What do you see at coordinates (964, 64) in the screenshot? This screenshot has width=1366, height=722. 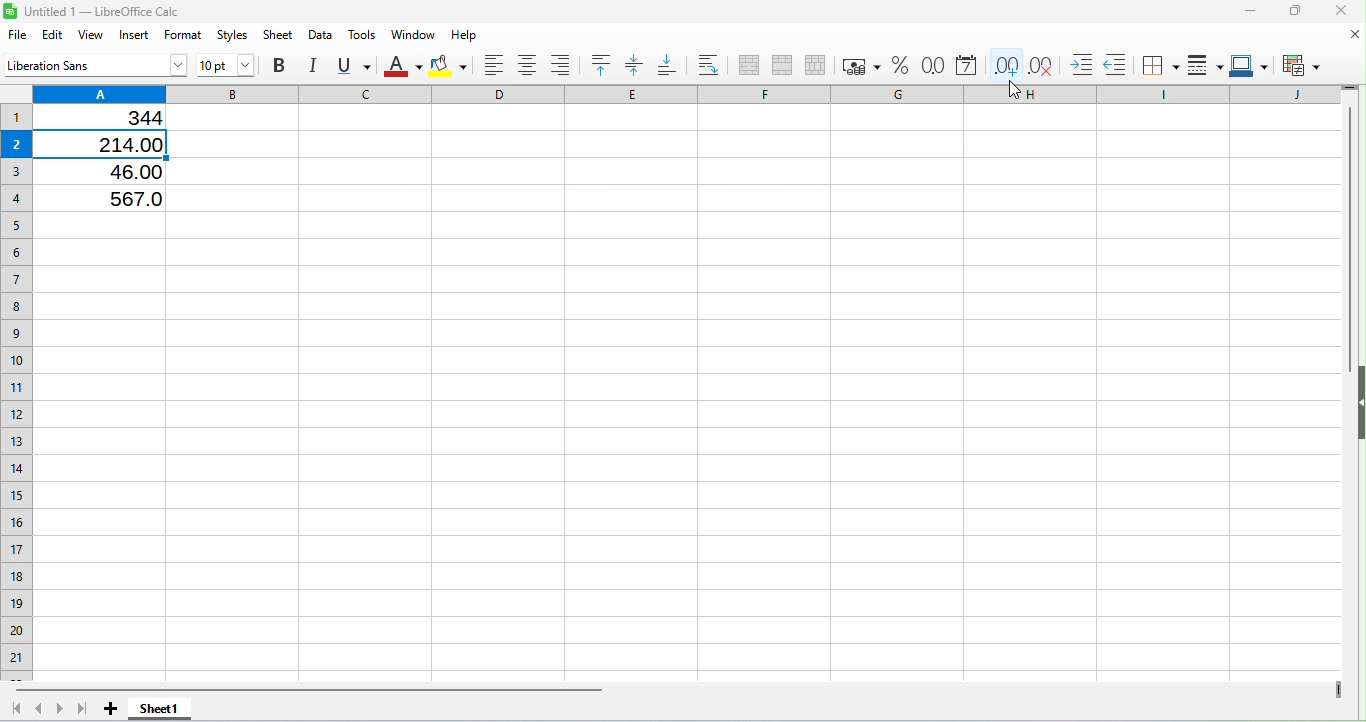 I see `Format as date` at bounding box center [964, 64].